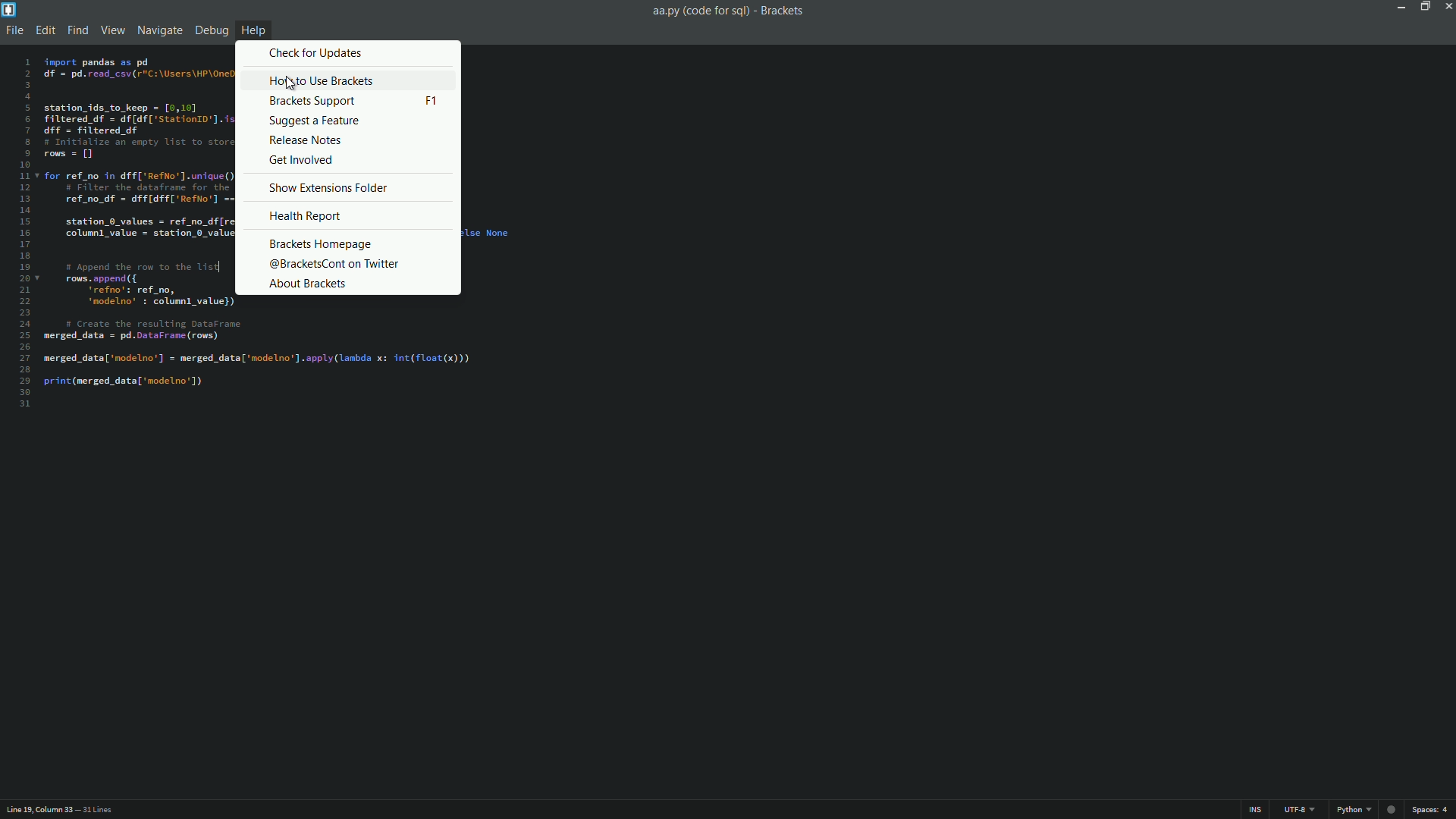 The width and height of the screenshot is (1456, 819). What do you see at coordinates (325, 188) in the screenshot?
I see `show extensions folder` at bounding box center [325, 188].